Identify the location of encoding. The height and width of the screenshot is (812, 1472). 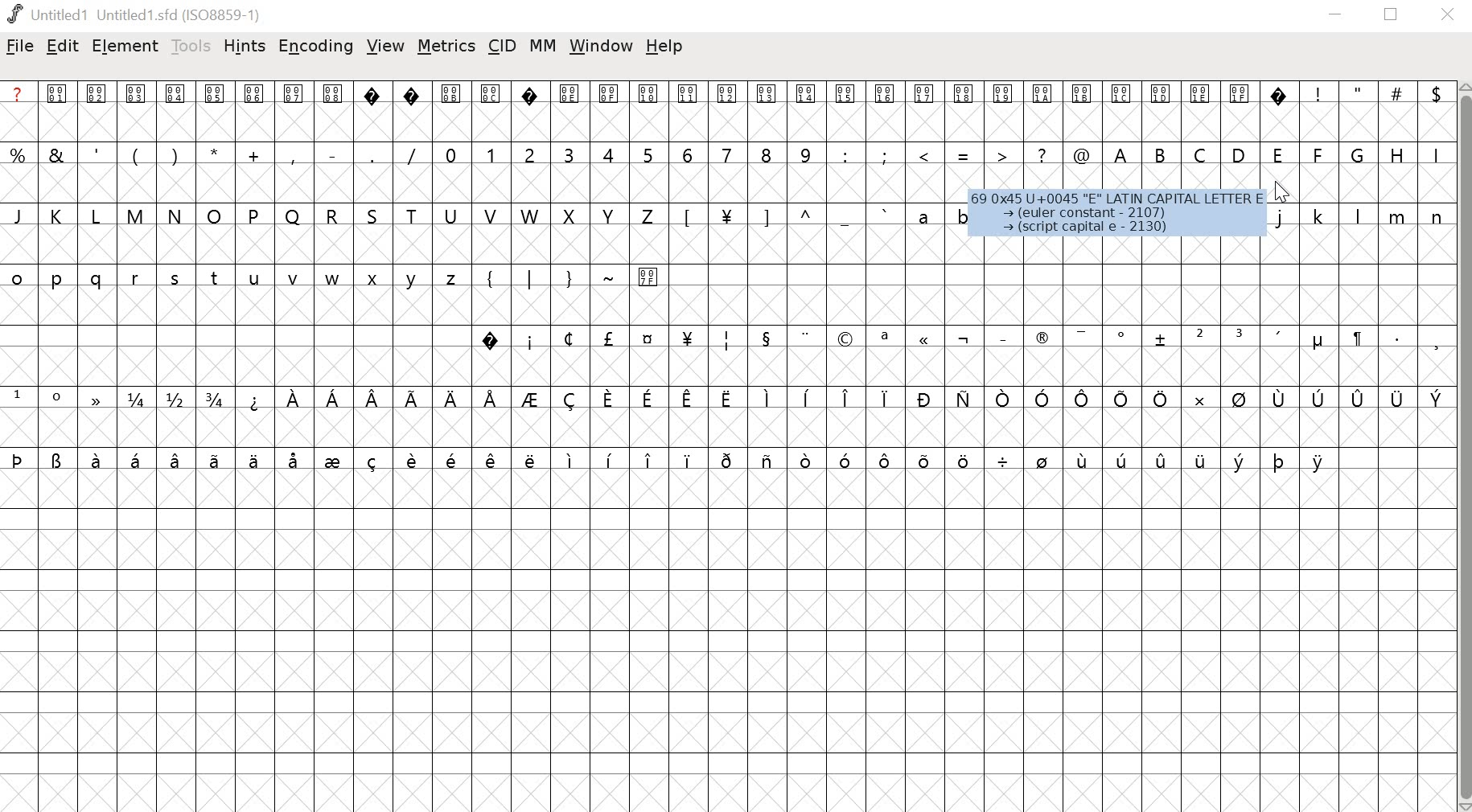
(316, 47).